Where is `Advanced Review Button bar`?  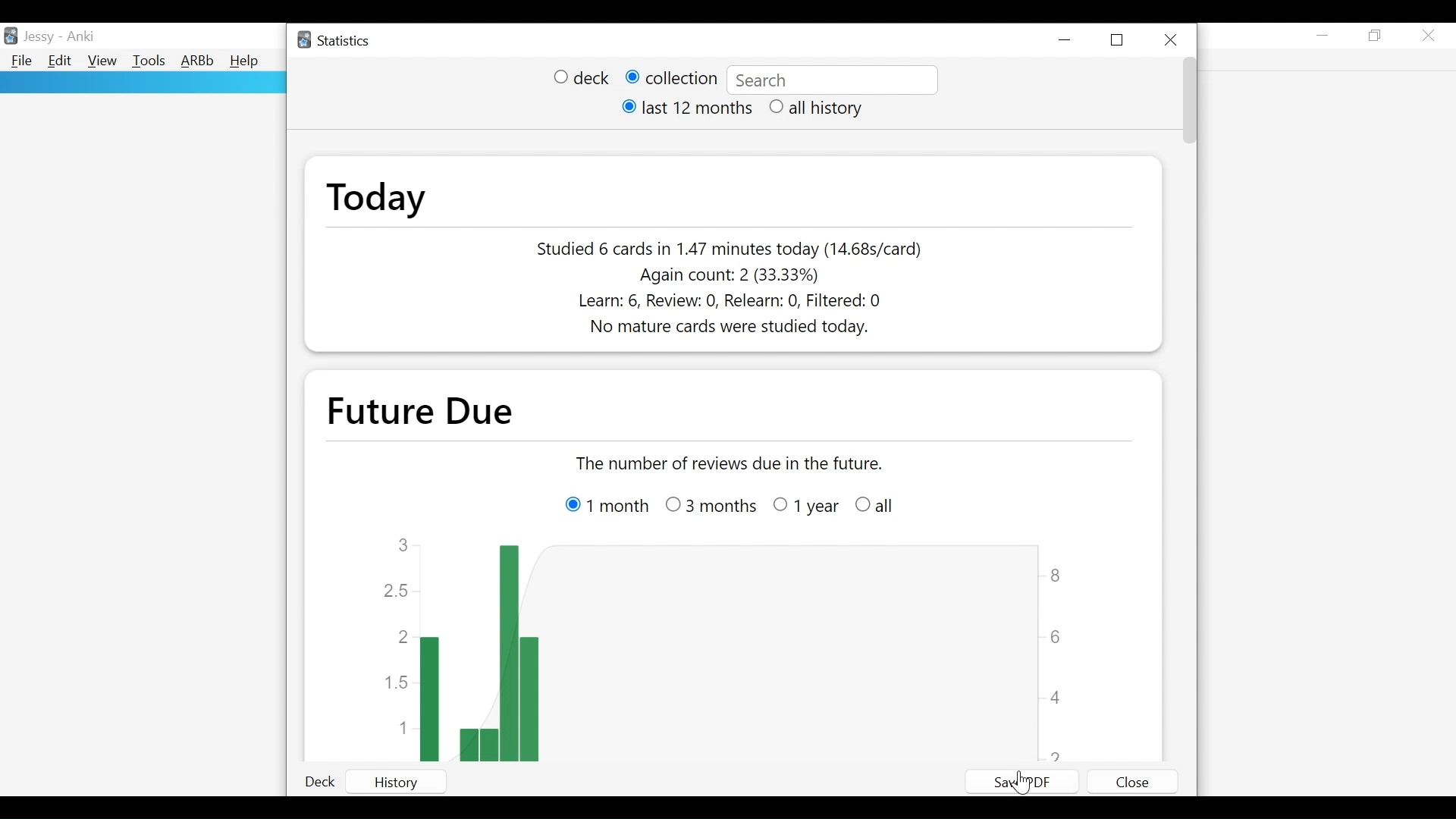 Advanced Review Button bar is located at coordinates (197, 61).